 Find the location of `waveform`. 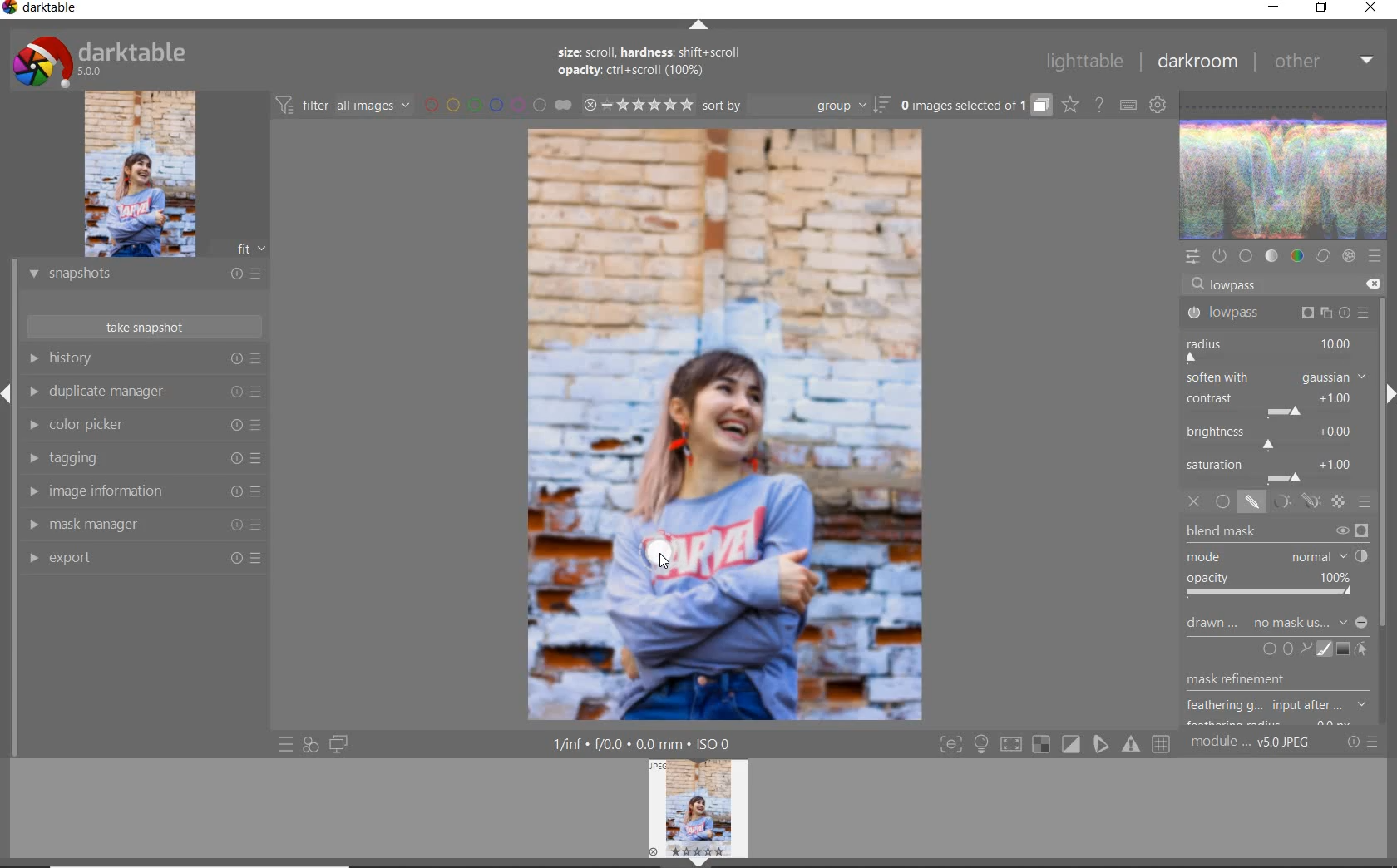

waveform is located at coordinates (1285, 164).